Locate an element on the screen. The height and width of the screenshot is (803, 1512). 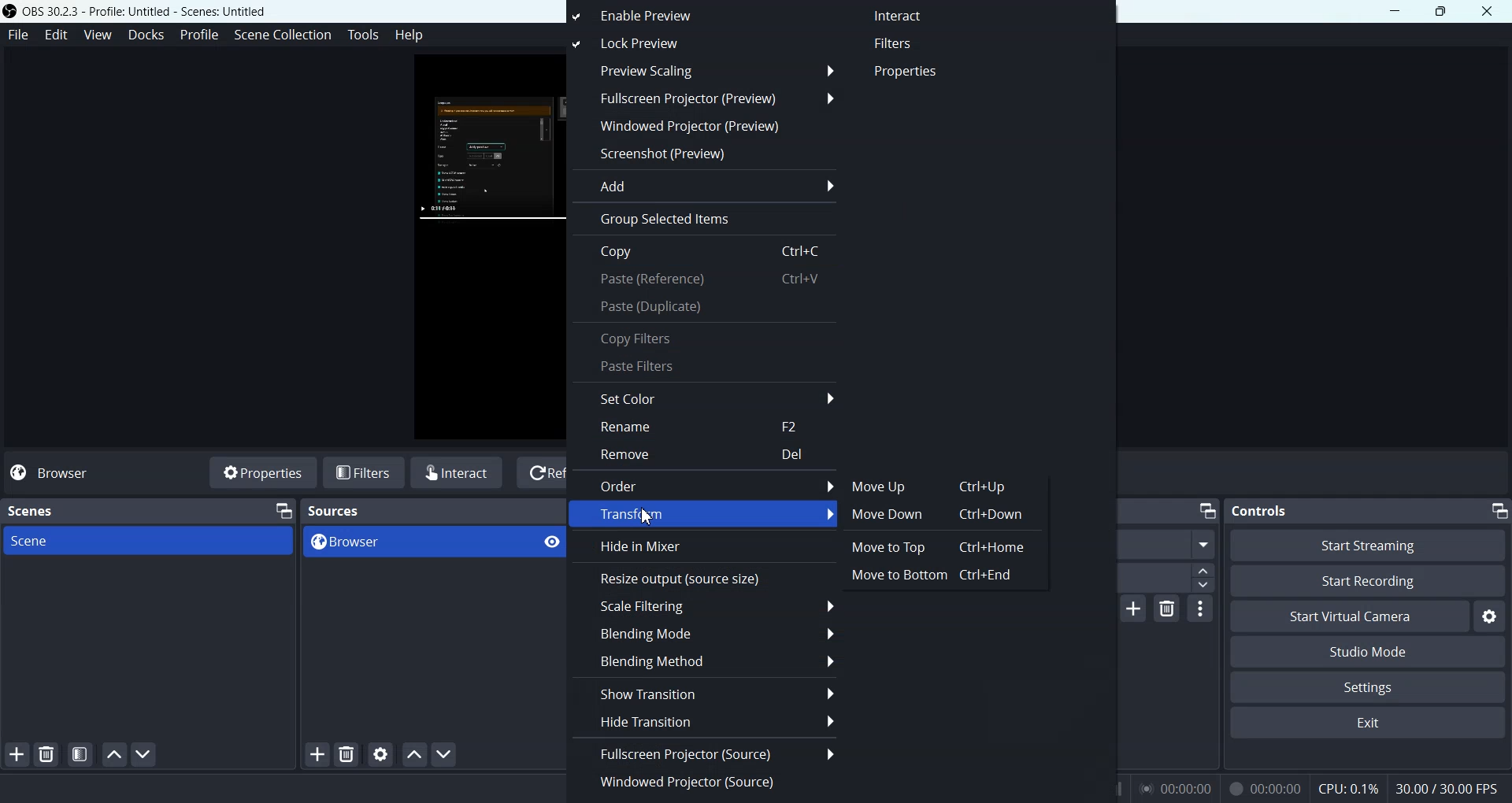
Add is located at coordinates (702, 185).